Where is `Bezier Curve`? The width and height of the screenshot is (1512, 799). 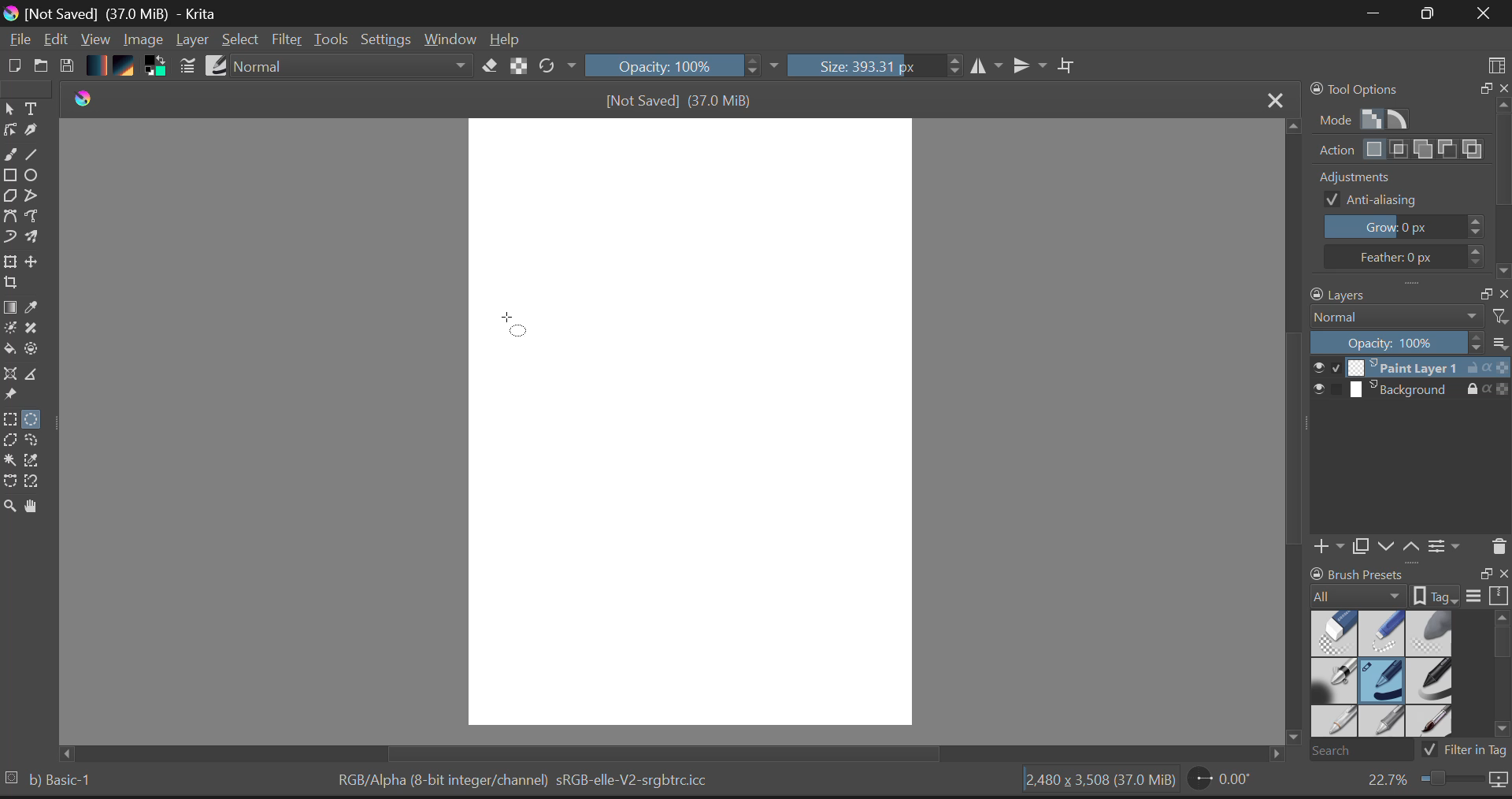
Bezier Curve is located at coordinates (11, 217).